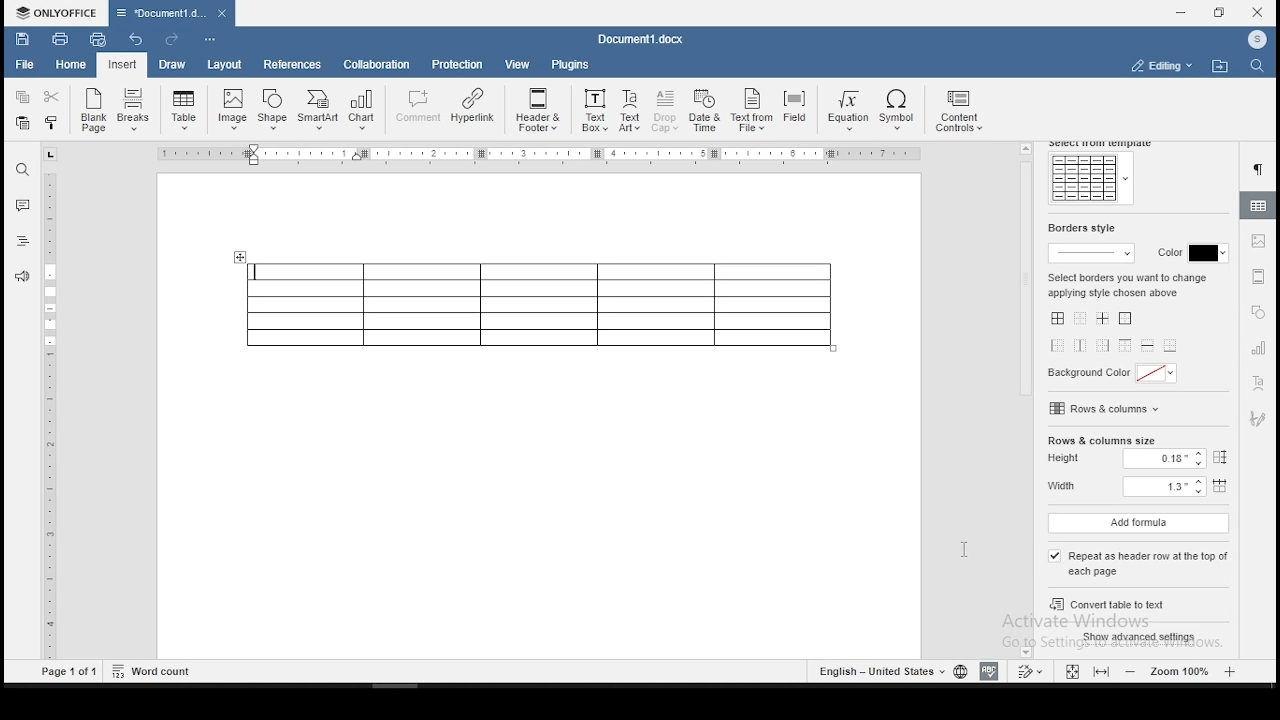 The height and width of the screenshot is (720, 1280). I want to click on undo, so click(139, 41).